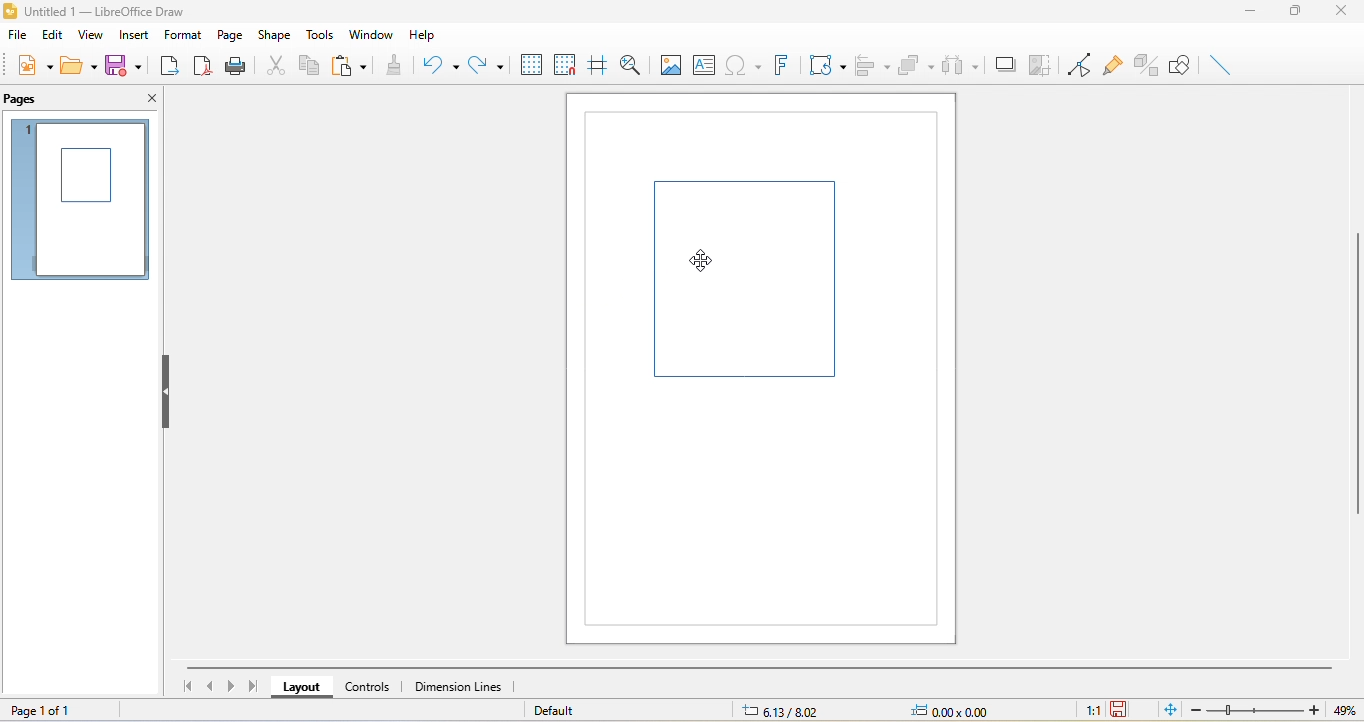 The width and height of the screenshot is (1364, 722). I want to click on layout, so click(303, 687).